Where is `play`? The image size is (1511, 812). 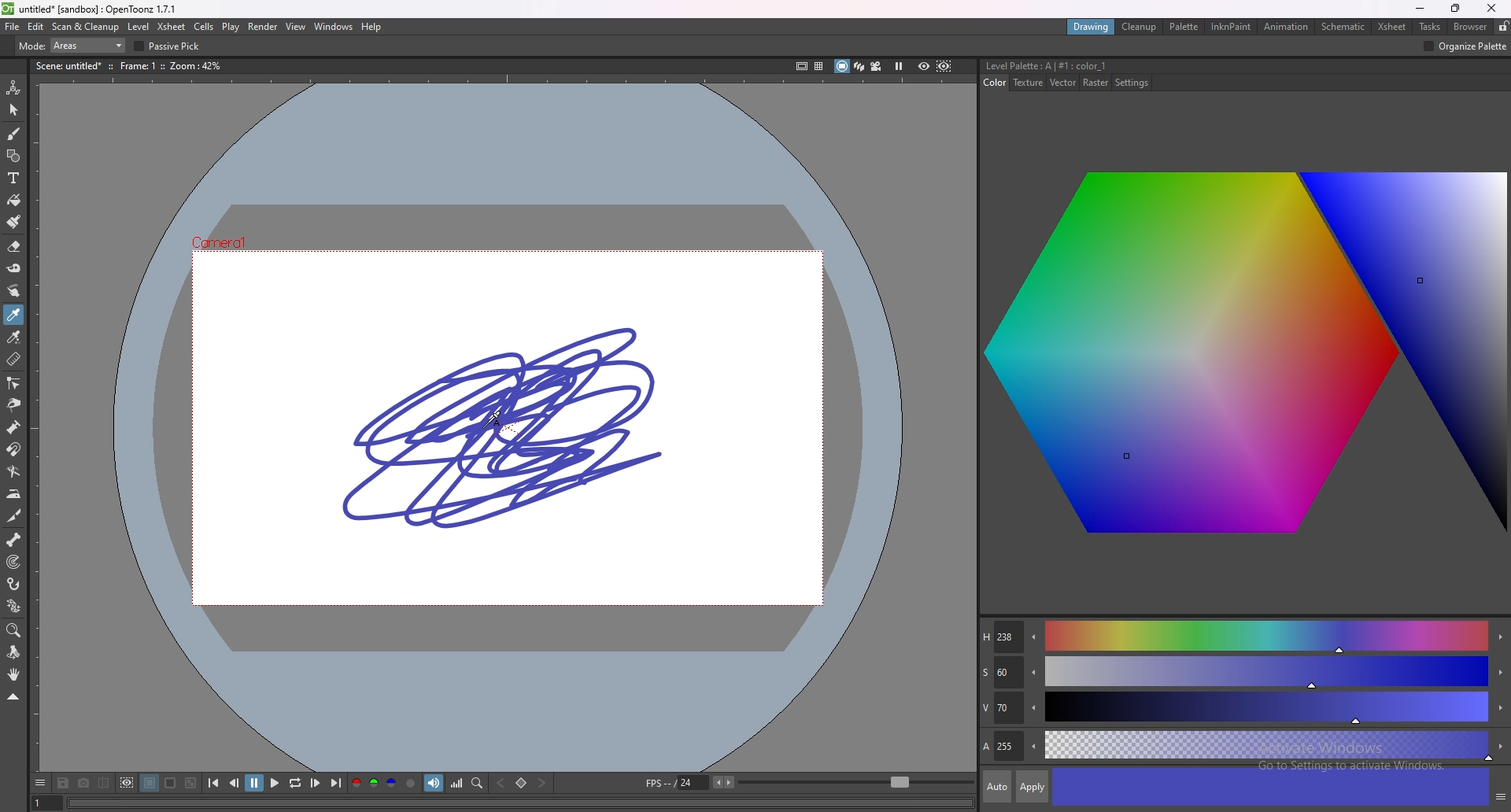
play is located at coordinates (275, 782).